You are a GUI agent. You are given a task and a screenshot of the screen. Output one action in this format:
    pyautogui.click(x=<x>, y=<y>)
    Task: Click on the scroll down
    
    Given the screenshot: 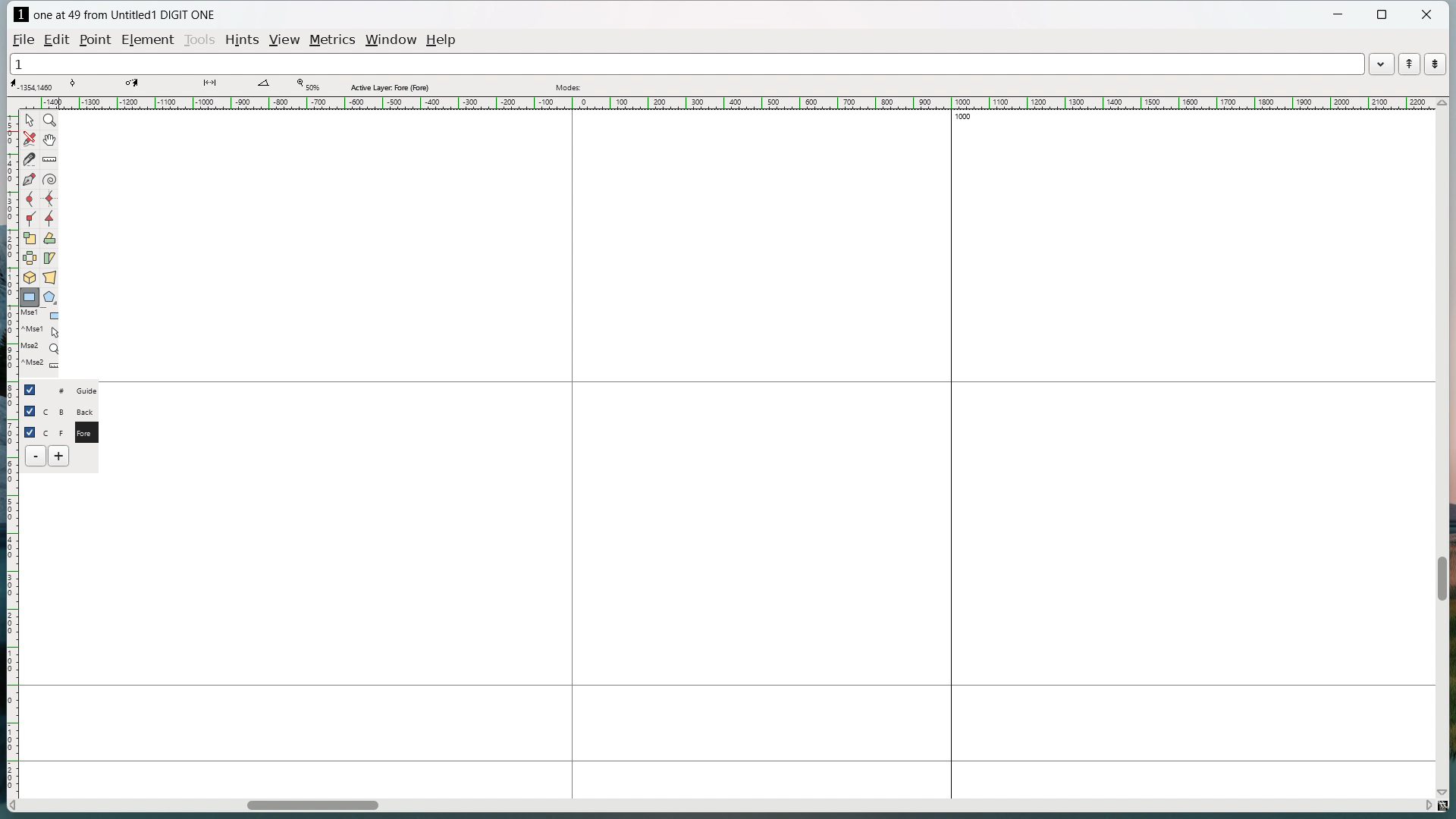 What is the action you would take?
    pyautogui.click(x=1446, y=789)
    